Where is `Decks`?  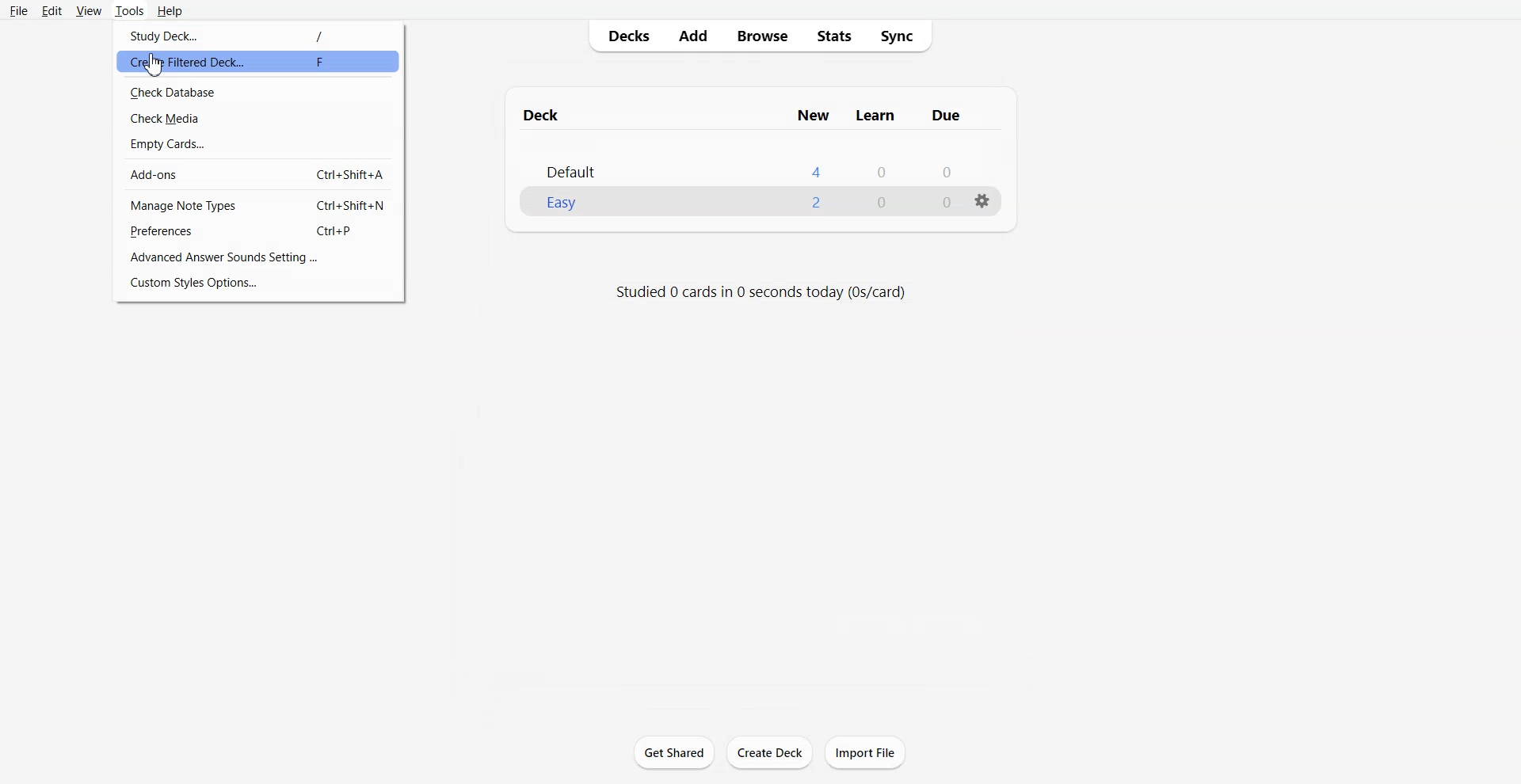
Decks is located at coordinates (623, 36).